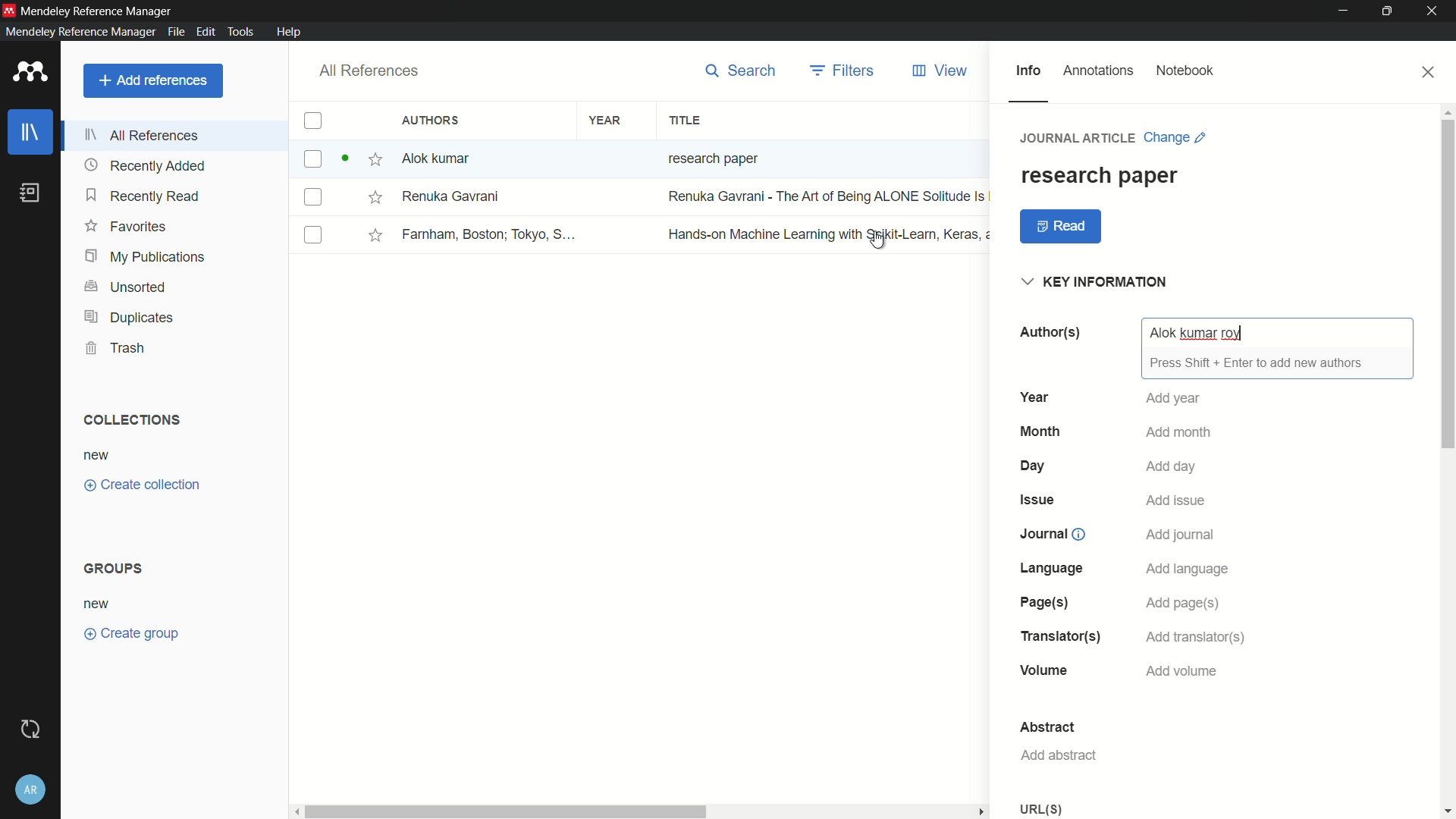 The image size is (1456, 819). Describe the element at coordinates (116, 567) in the screenshot. I see `groups` at that location.